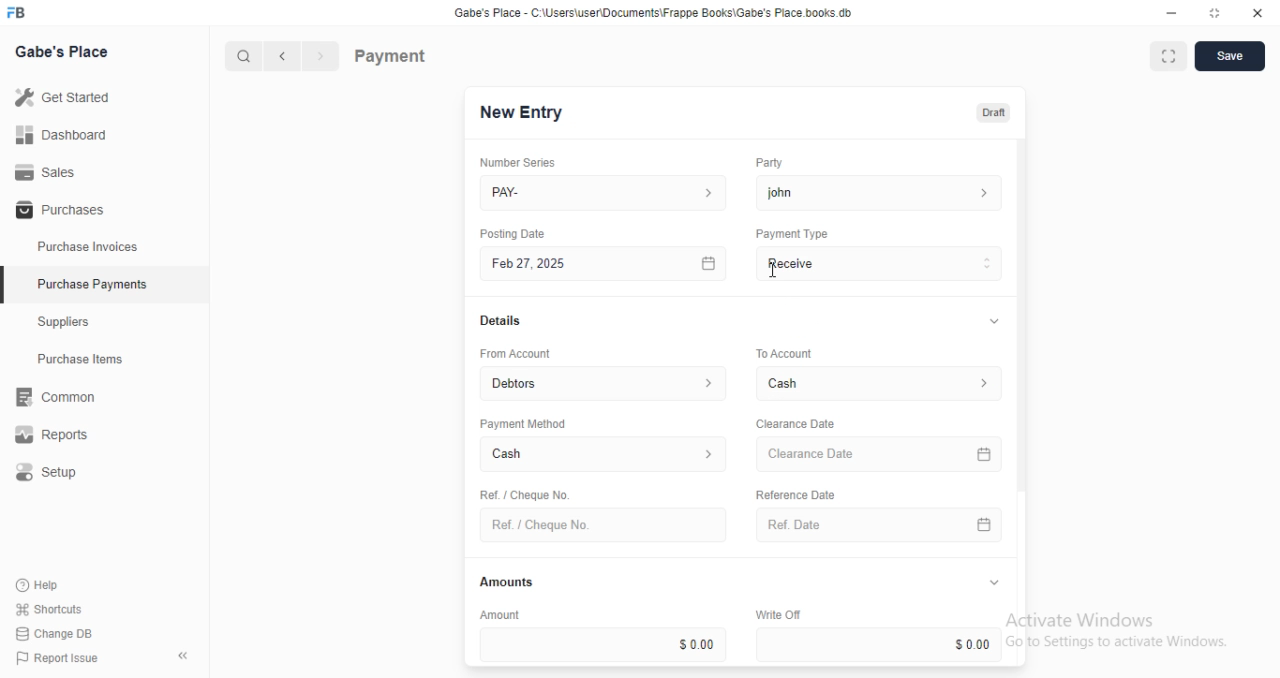 The width and height of the screenshot is (1280, 678). What do you see at coordinates (879, 525) in the screenshot?
I see `Ref. Date` at bounding box center [879, 525].